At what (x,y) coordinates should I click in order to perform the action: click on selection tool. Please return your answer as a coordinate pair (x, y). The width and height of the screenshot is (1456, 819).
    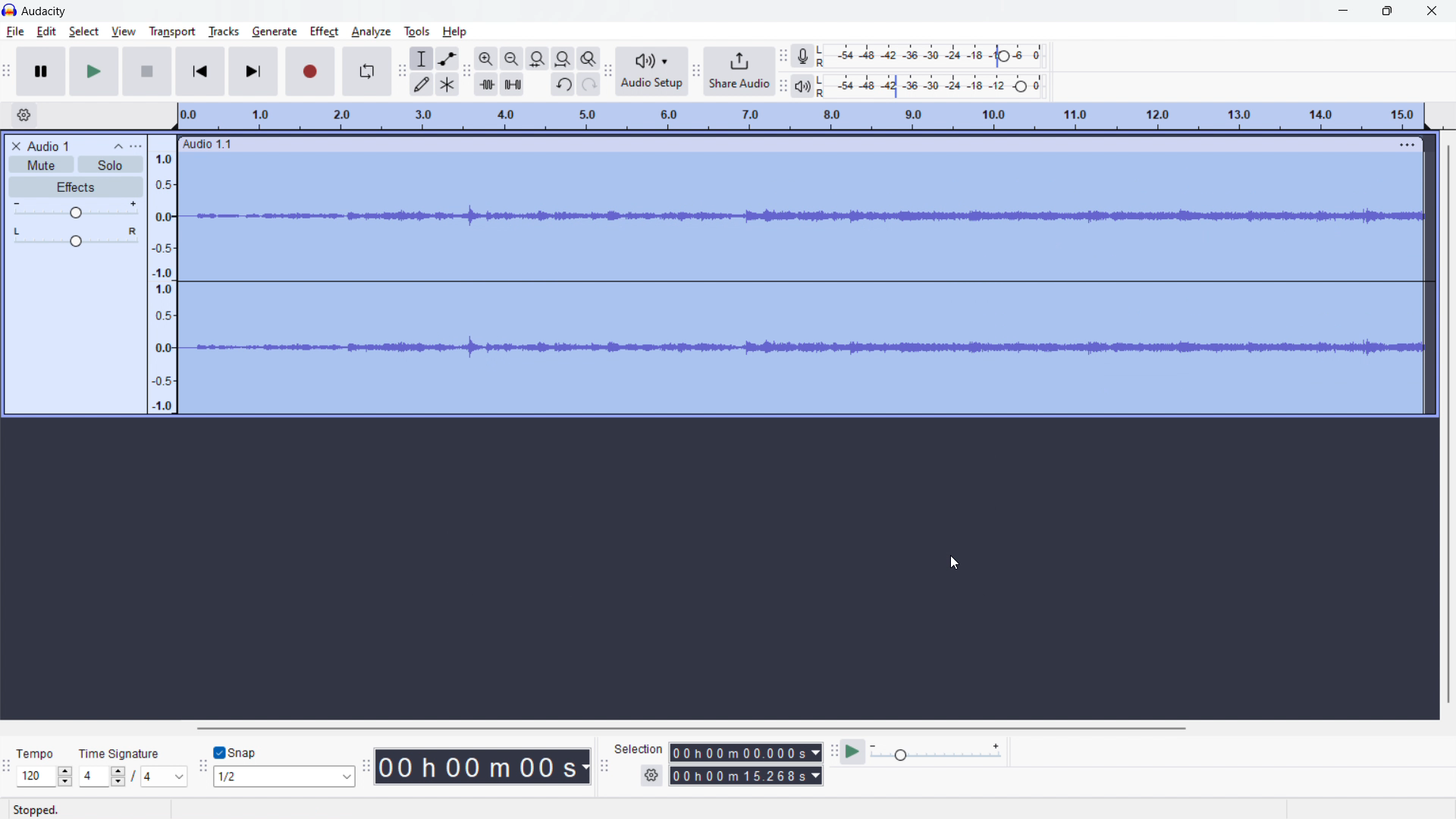
    Looking at the image, I should click on (422, 59).